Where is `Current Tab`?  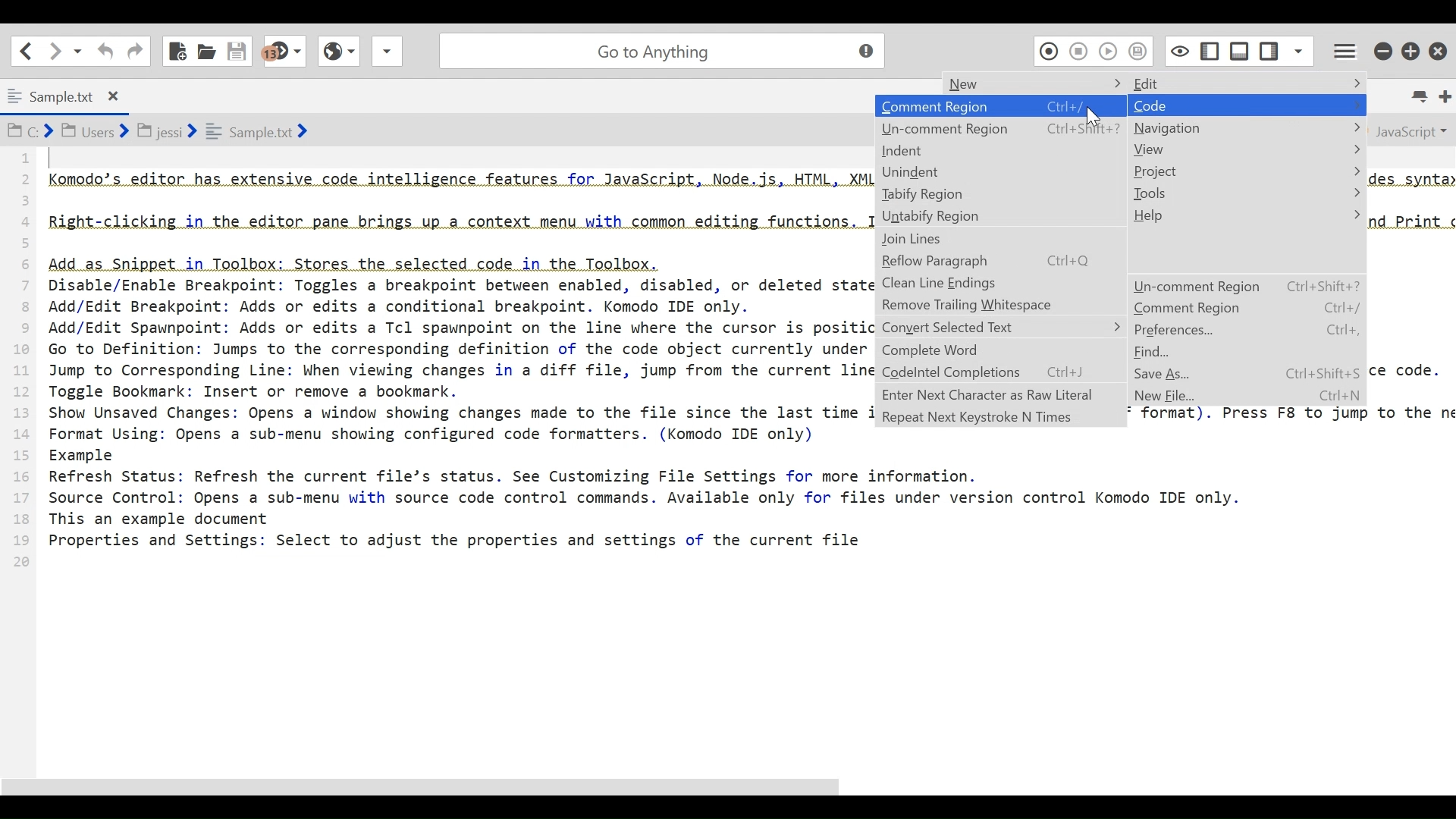
Current Tab is located at coordinates (68, 94).